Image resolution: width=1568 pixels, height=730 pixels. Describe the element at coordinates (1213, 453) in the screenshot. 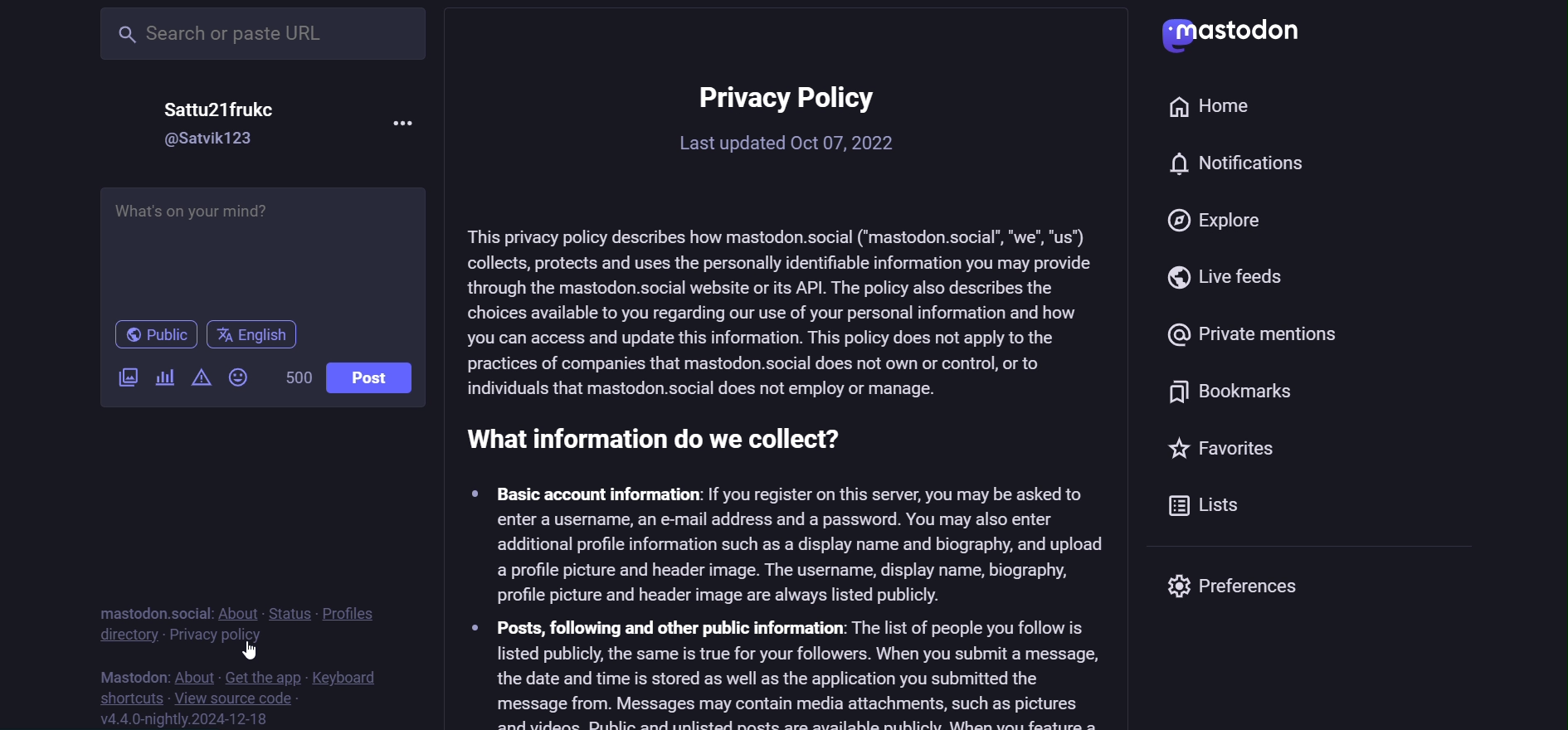

I see `favorites` at that location.